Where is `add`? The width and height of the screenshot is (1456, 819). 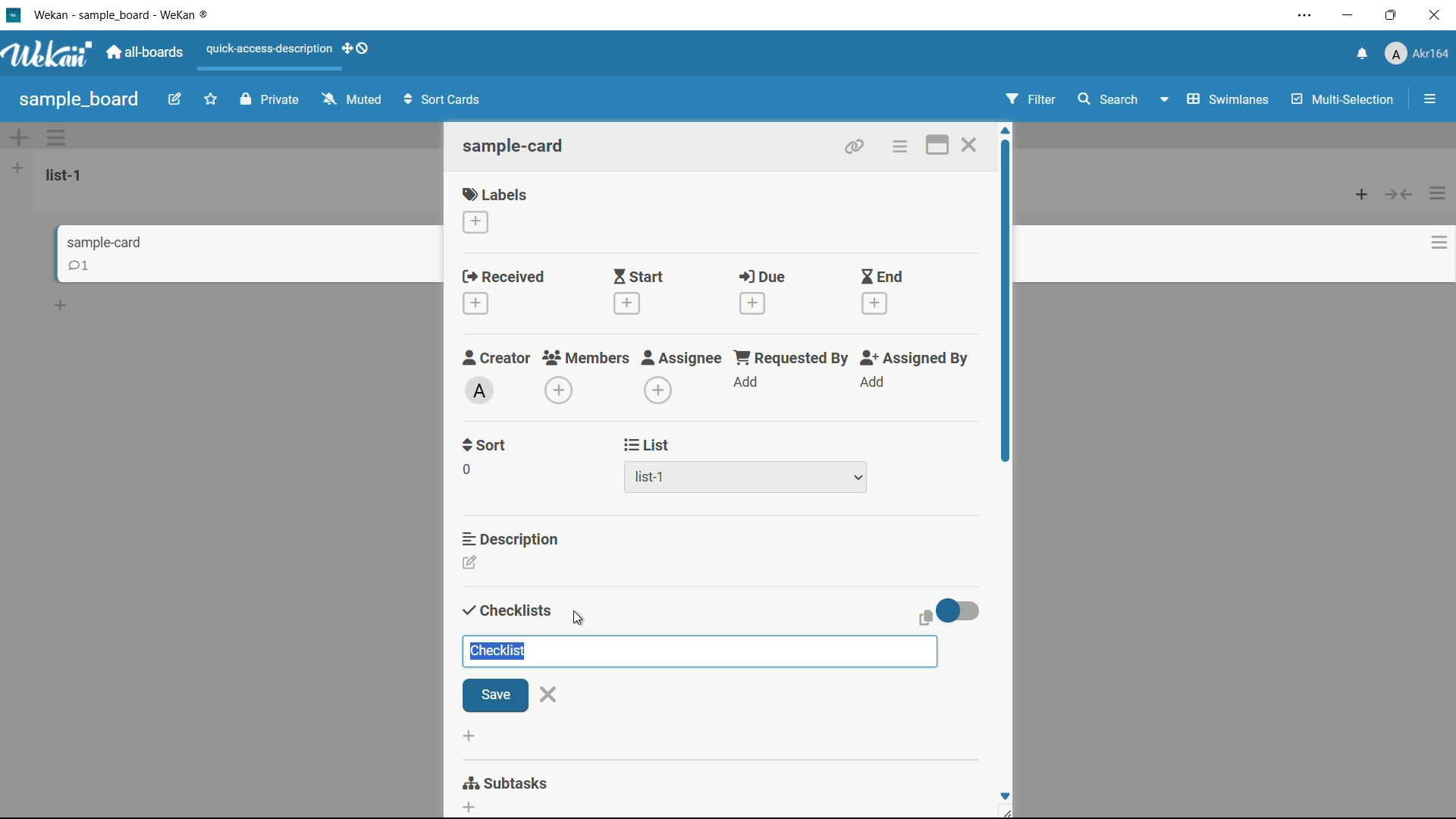 add is located at coordinates (748, 383).